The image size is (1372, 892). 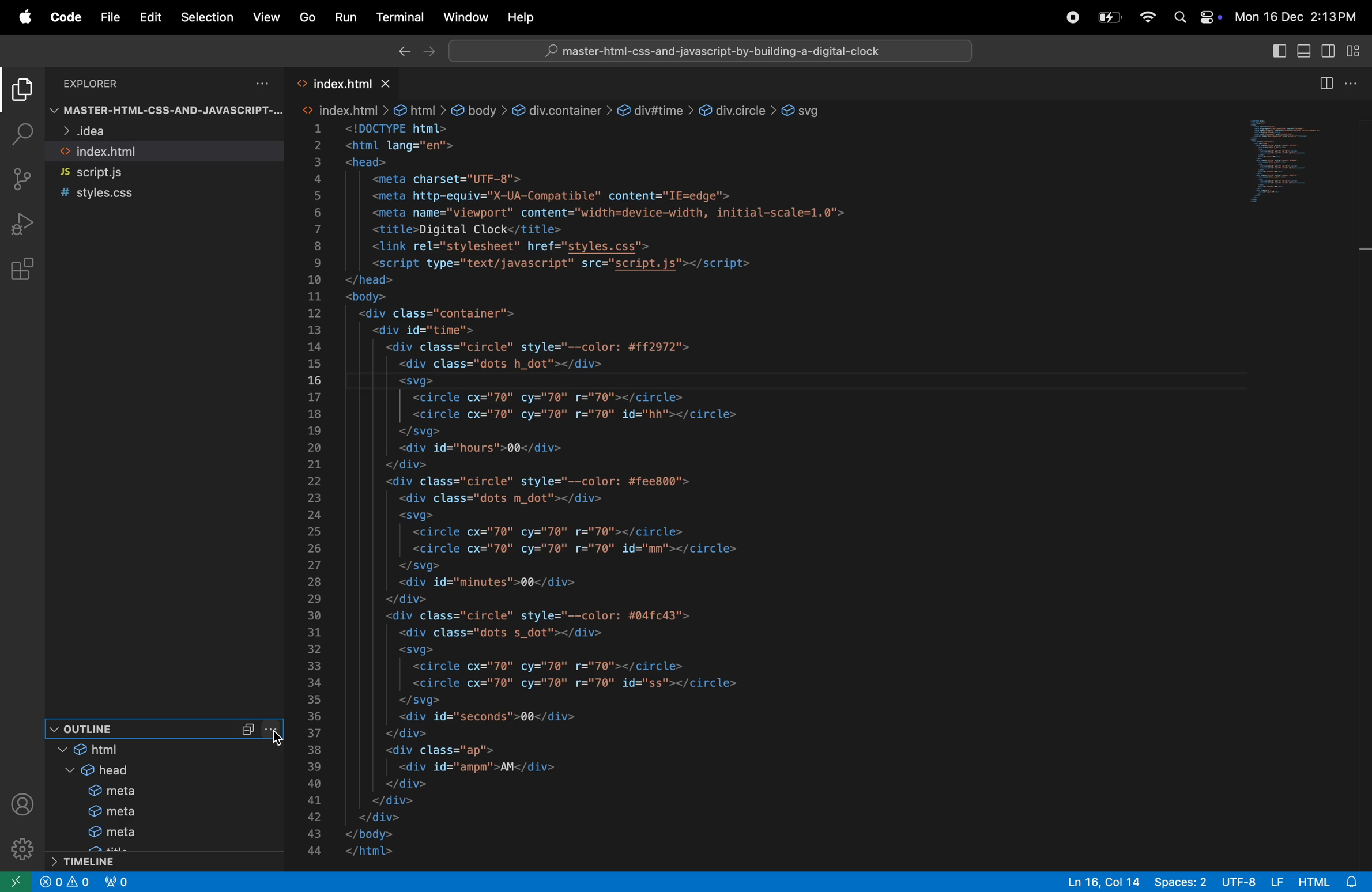 What do you see at coordinates (722, 51) in the screenshot?
I see `master-html-css-and-javascript-by-building-a-digital-clock` at bounding box center [722, 51].